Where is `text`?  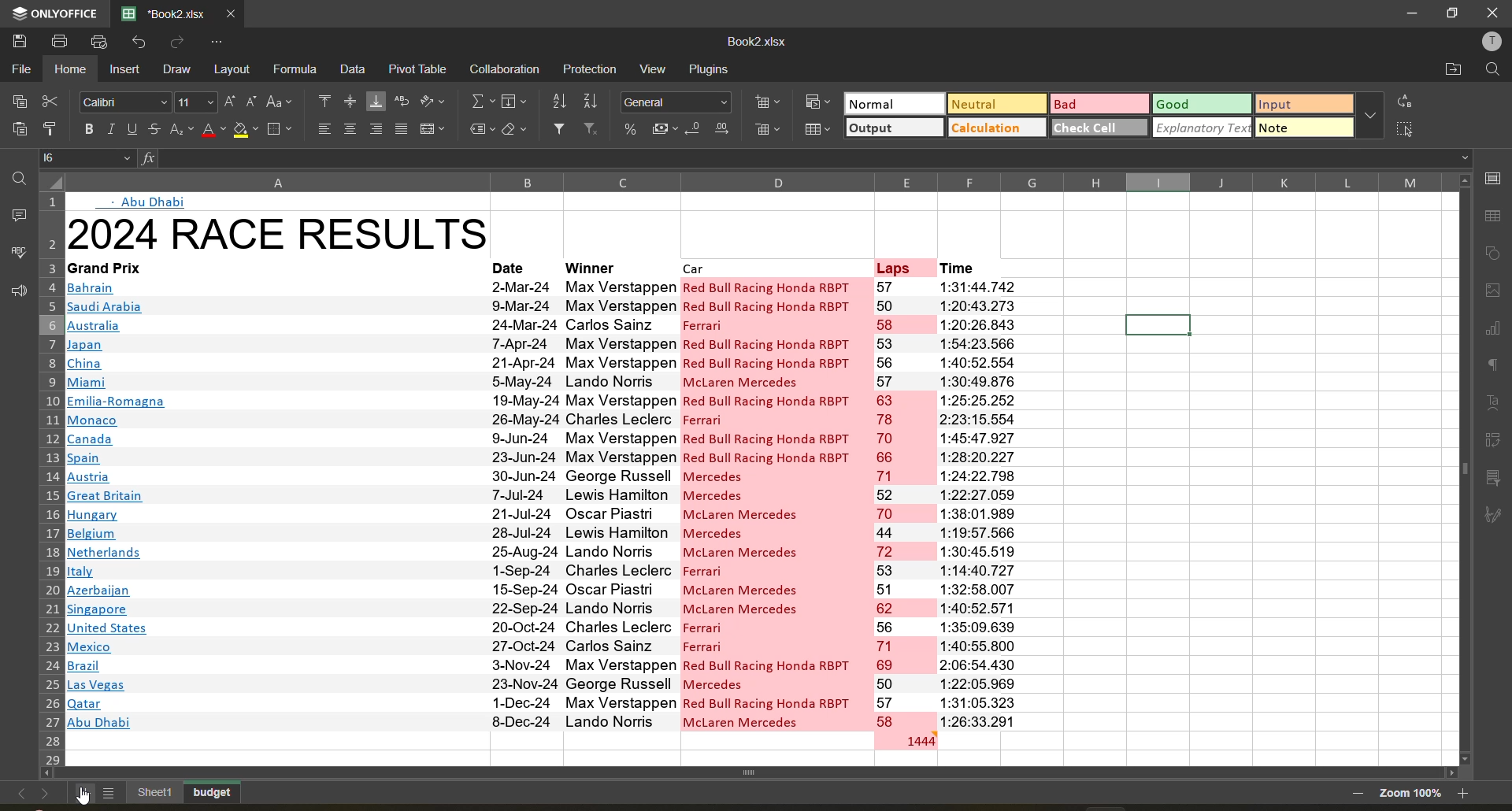 text is located at coordinates (1495, 405).